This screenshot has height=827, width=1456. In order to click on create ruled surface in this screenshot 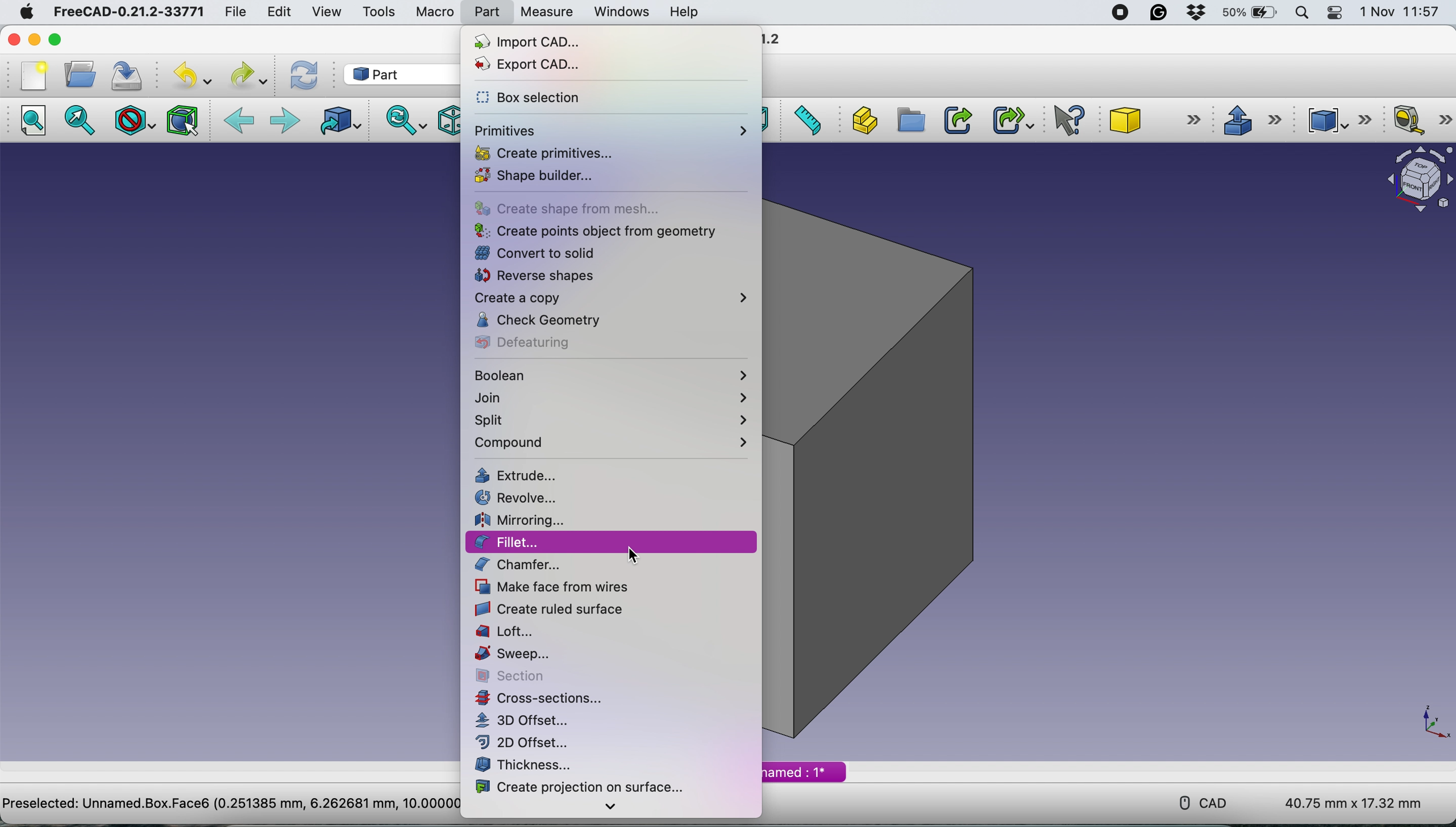, I will do `click(550, 608)`.